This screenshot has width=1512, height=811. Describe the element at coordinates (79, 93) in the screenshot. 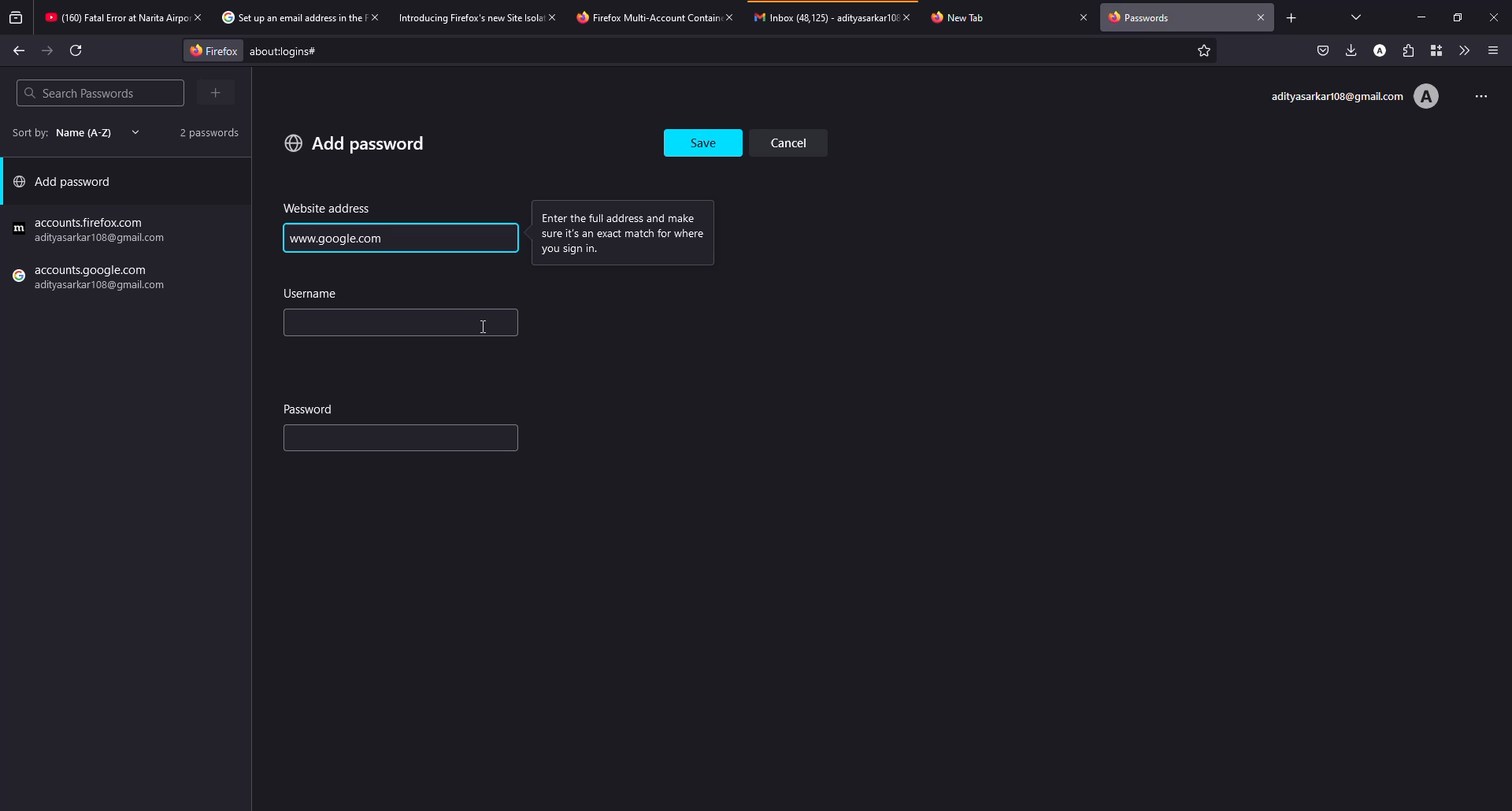

I see `search` at that location.